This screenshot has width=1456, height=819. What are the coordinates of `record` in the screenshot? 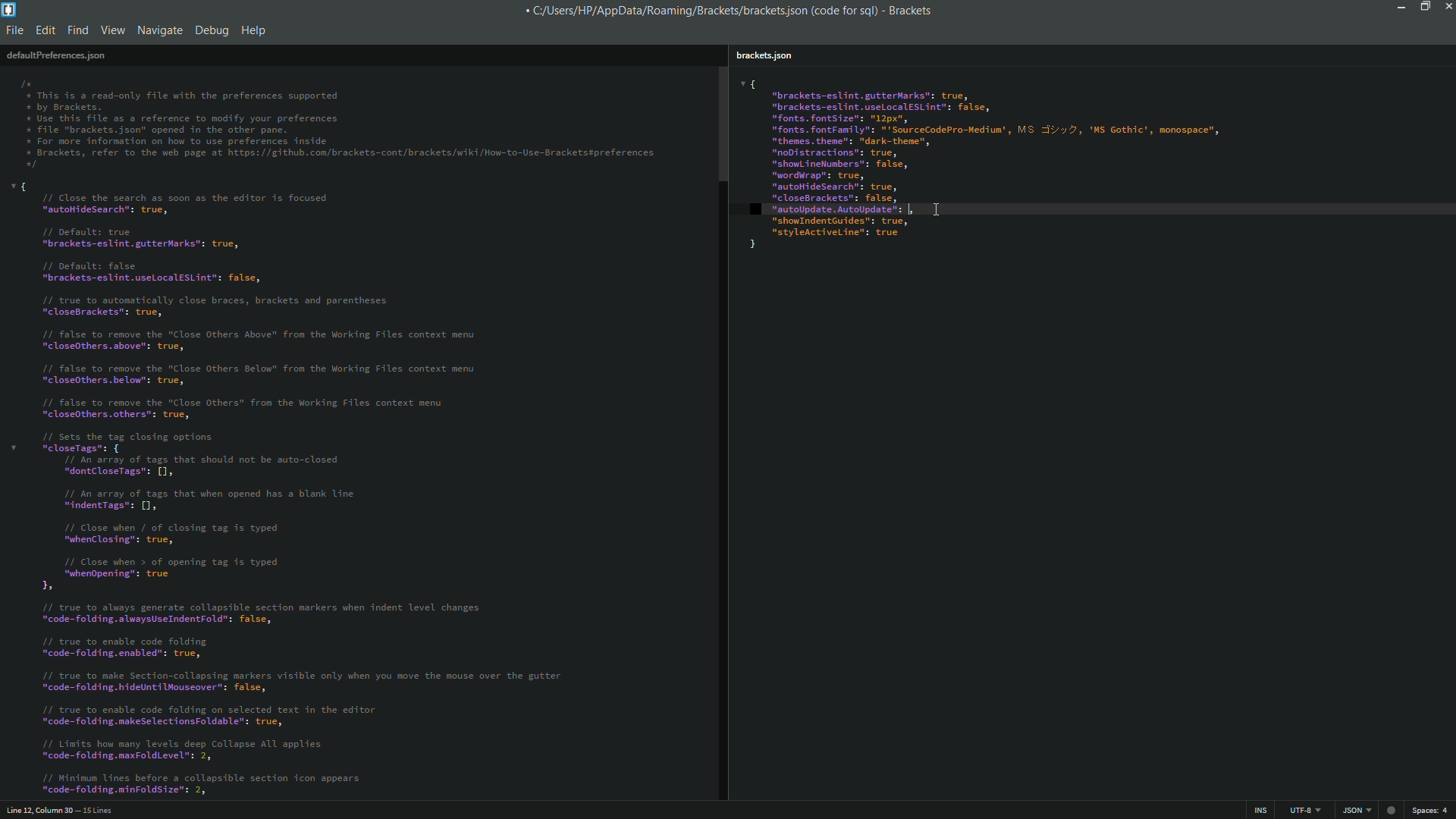 It's located at (1393, 808).